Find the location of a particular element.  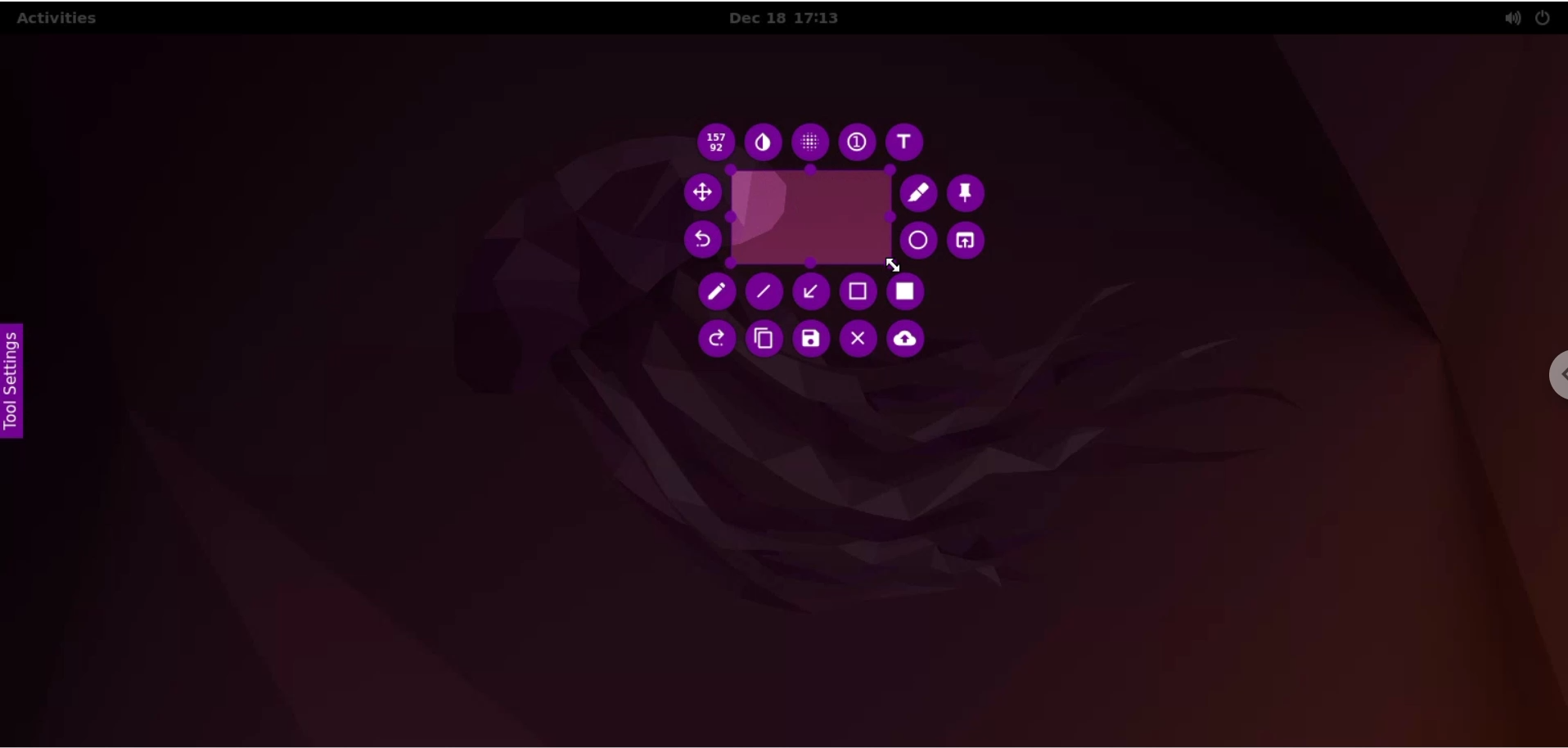

selection as paint tool is located at coordinates (859, 291).